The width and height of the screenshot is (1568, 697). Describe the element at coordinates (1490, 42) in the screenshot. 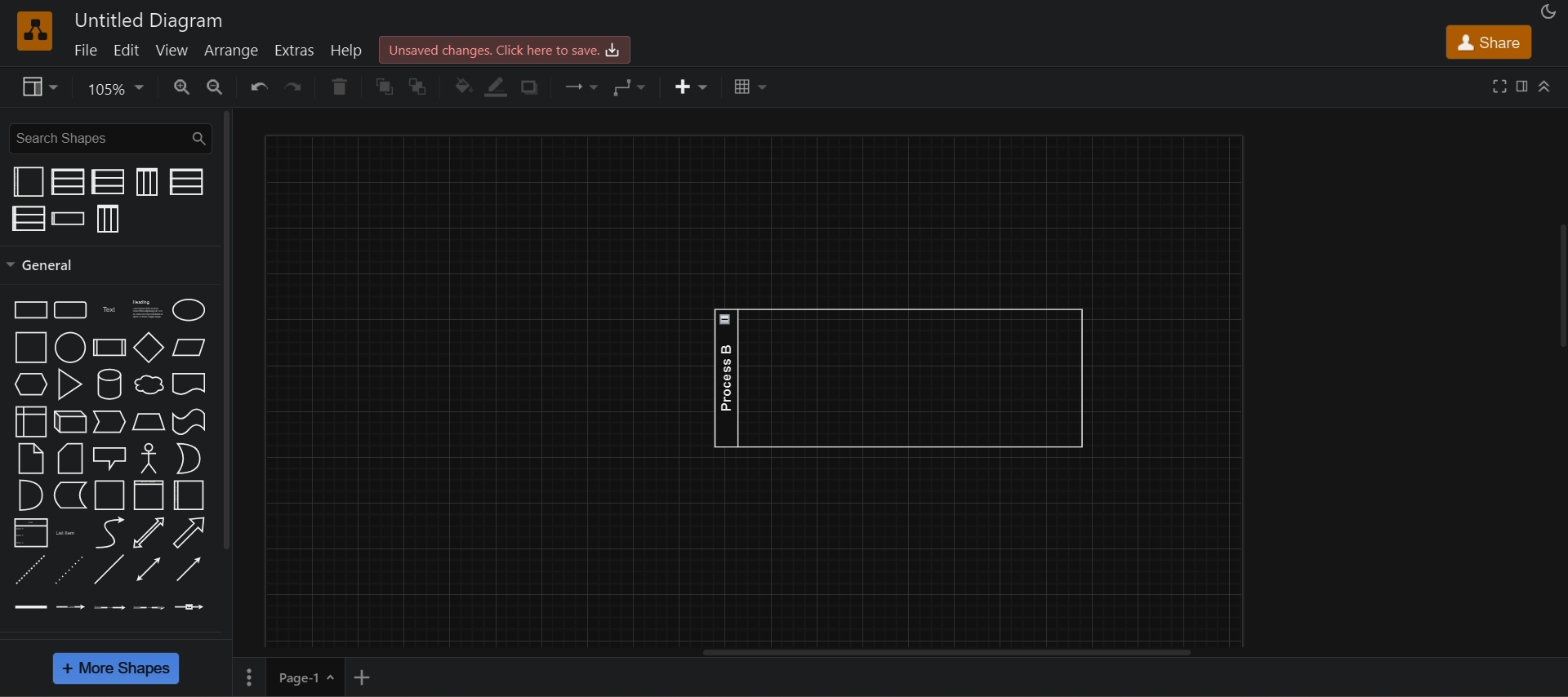

I see `share` at that location.